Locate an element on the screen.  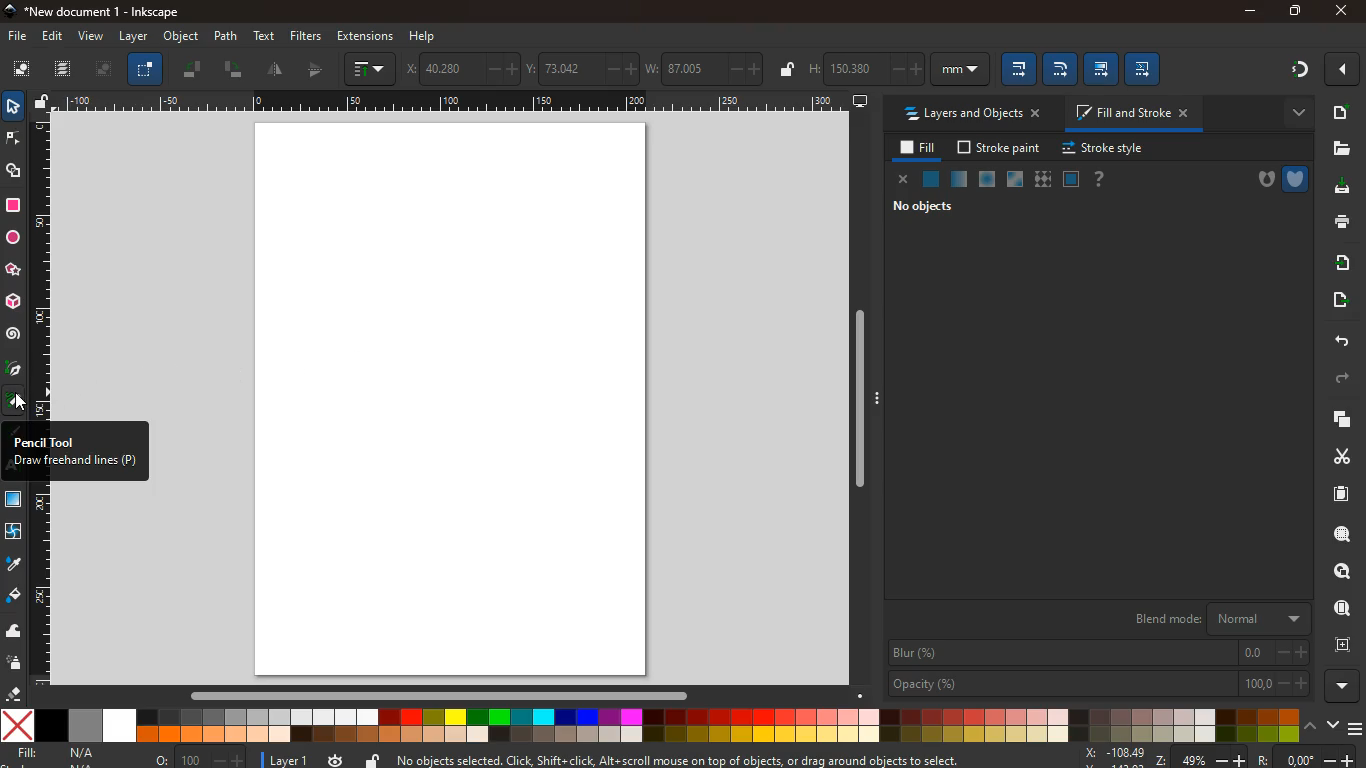
frame is located at coordinates (1340, 643).